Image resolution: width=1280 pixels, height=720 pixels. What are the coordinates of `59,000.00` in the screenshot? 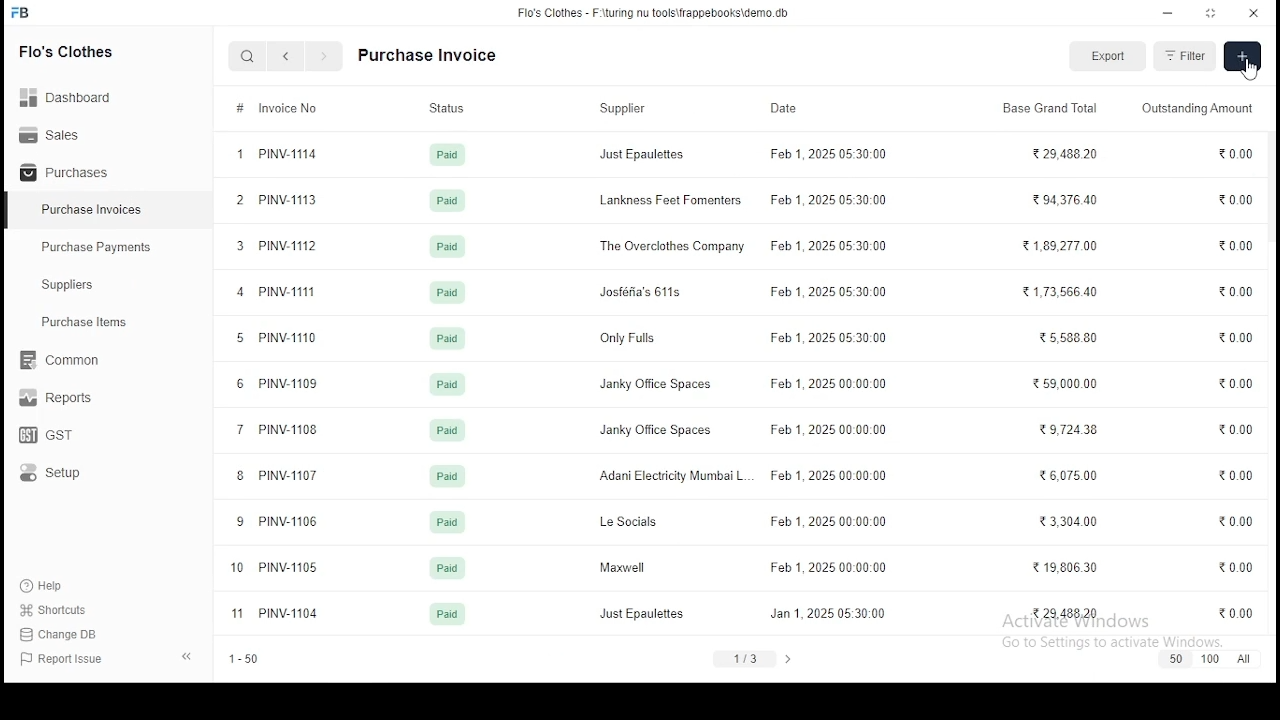 It's located at (1067, 384).